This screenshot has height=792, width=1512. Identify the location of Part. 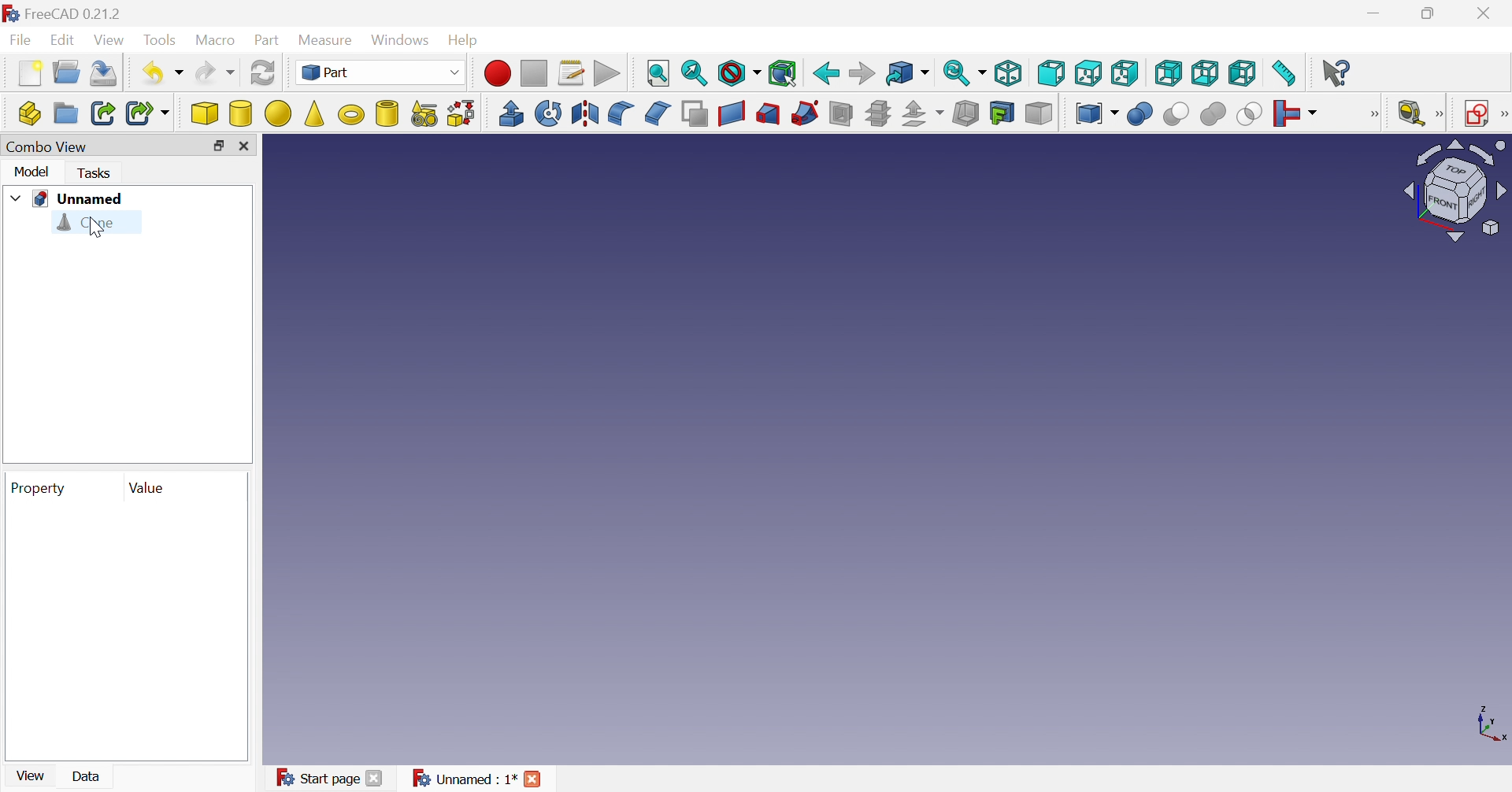
(380, 71).